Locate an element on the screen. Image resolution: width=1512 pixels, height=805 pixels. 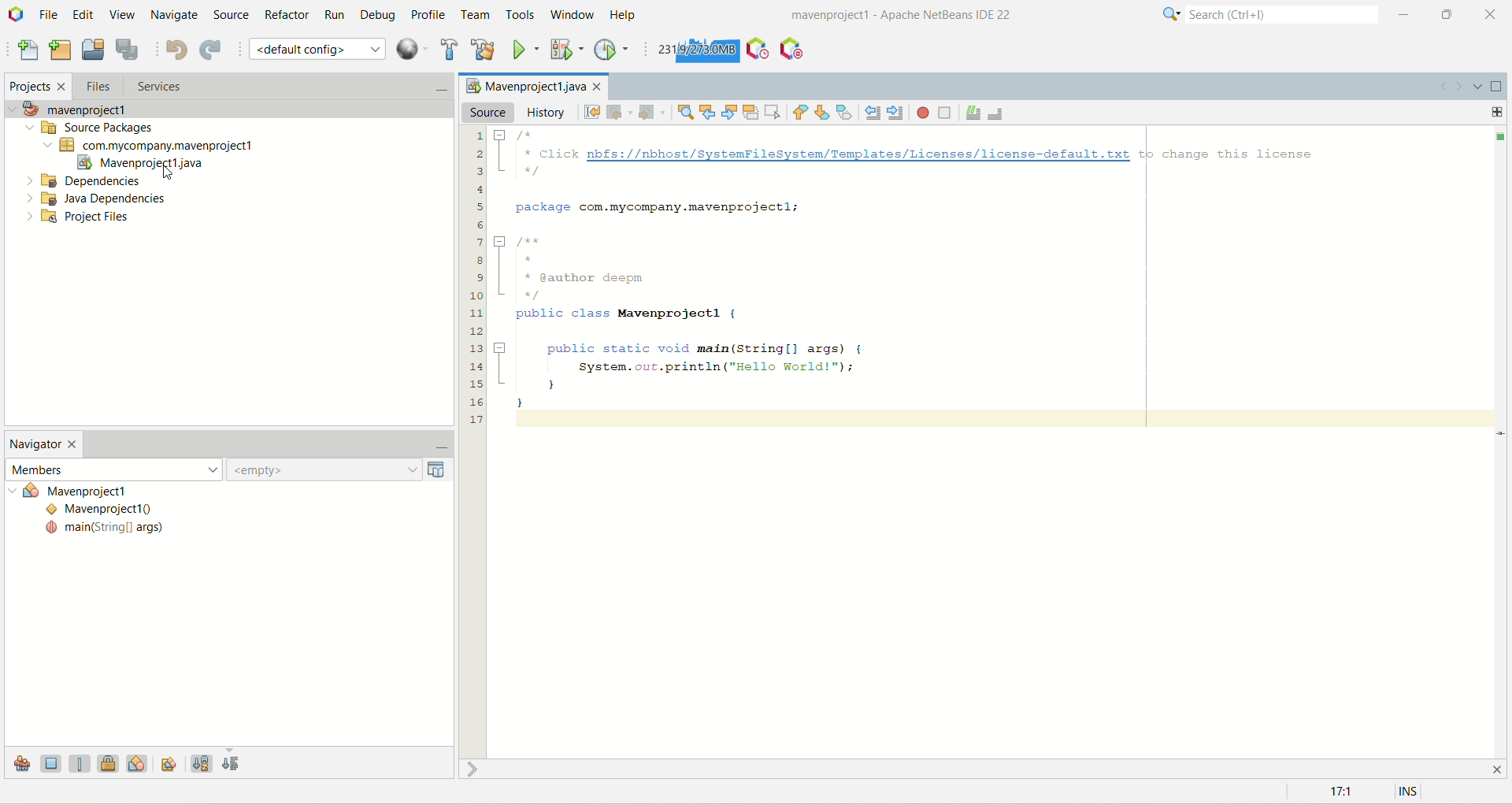
mavenproject1.java is located at coordinates (141, 165).